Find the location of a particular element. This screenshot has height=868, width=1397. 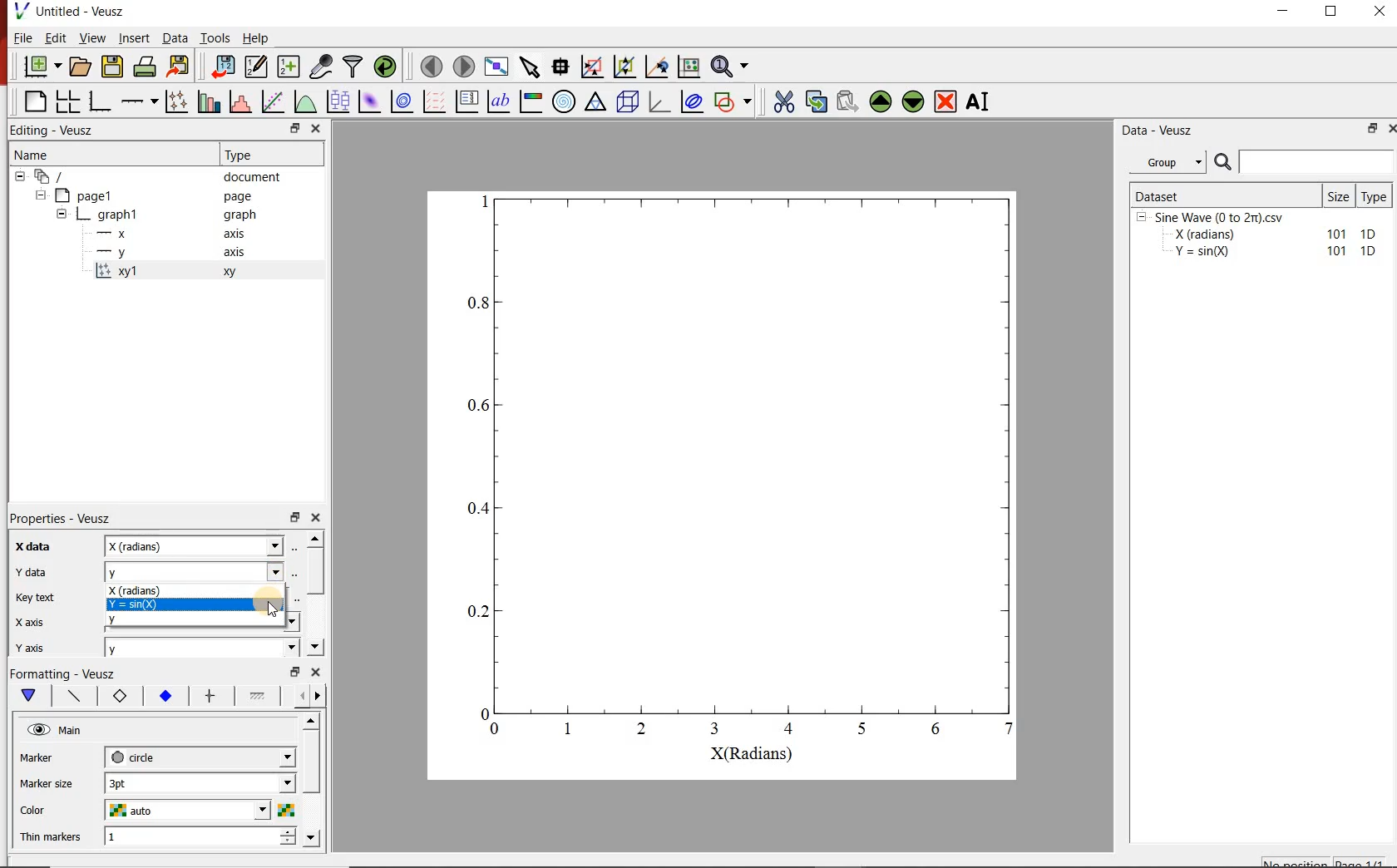

print is located at coordinates (146, 67).